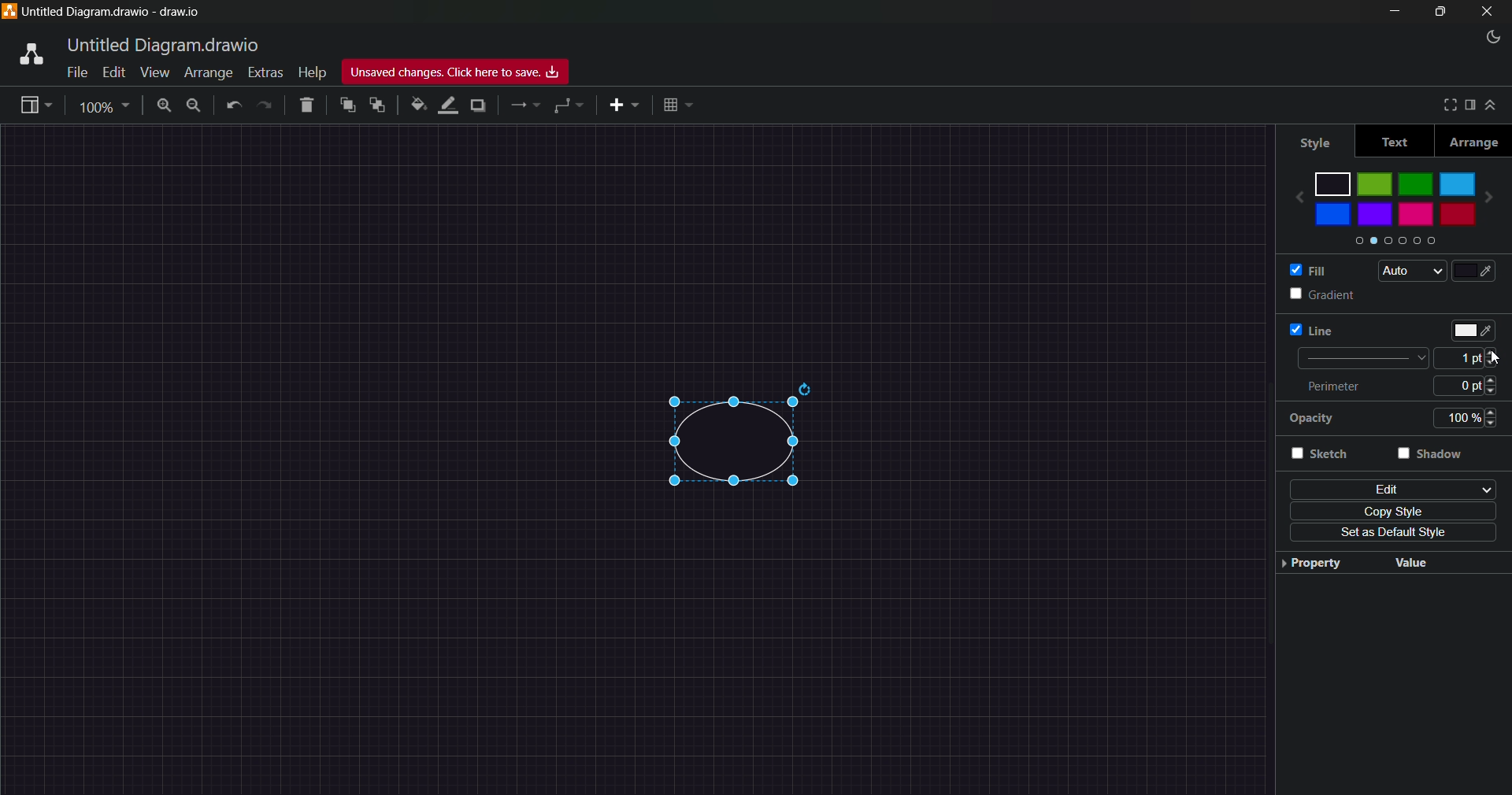 This screenshot has width=1512, height=795. I want to click on unsaved changes, so click(455, 71).